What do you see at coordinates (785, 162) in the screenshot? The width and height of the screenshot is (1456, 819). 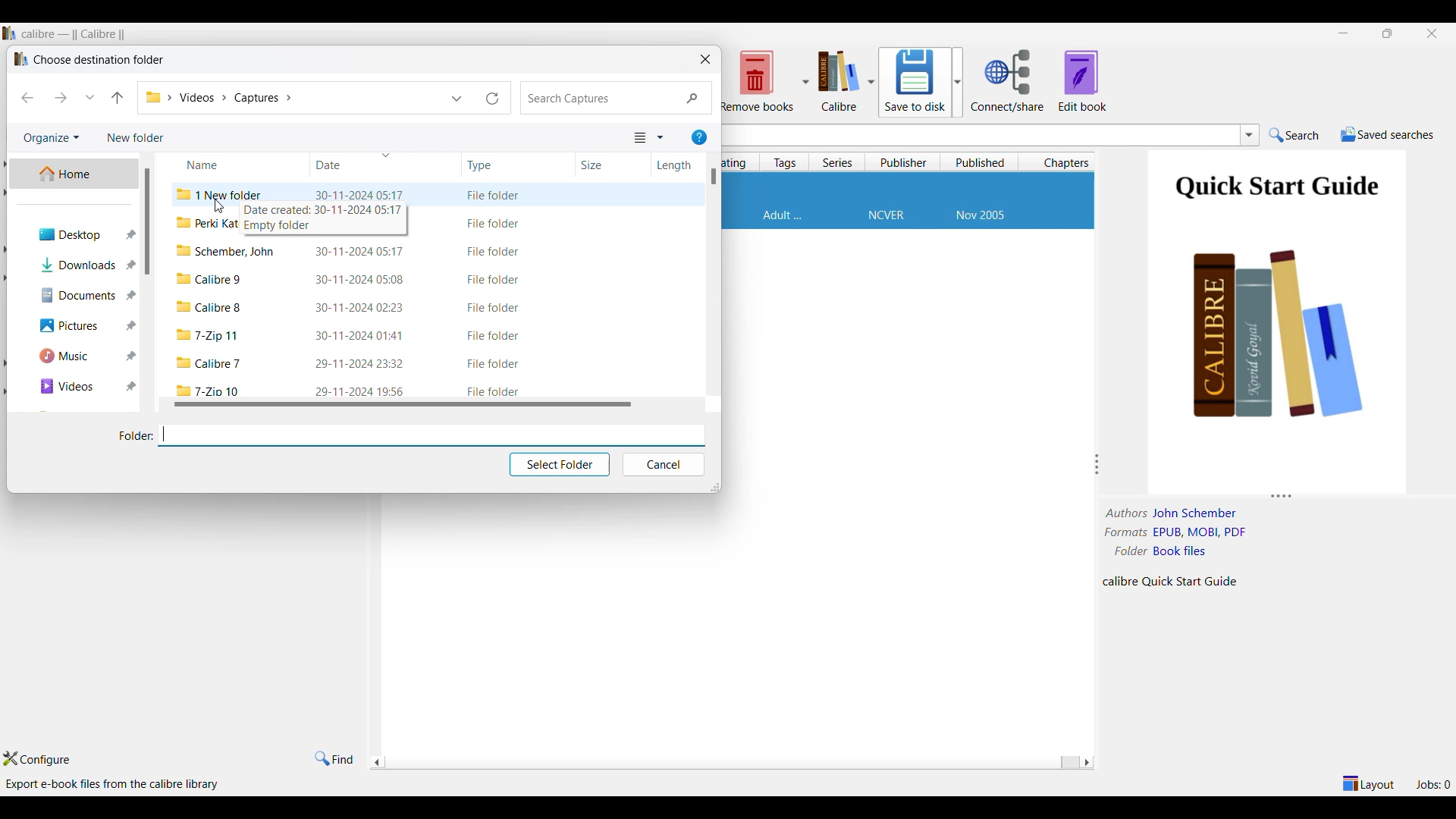 I see `Tags column` at bounding box center [785, 162].